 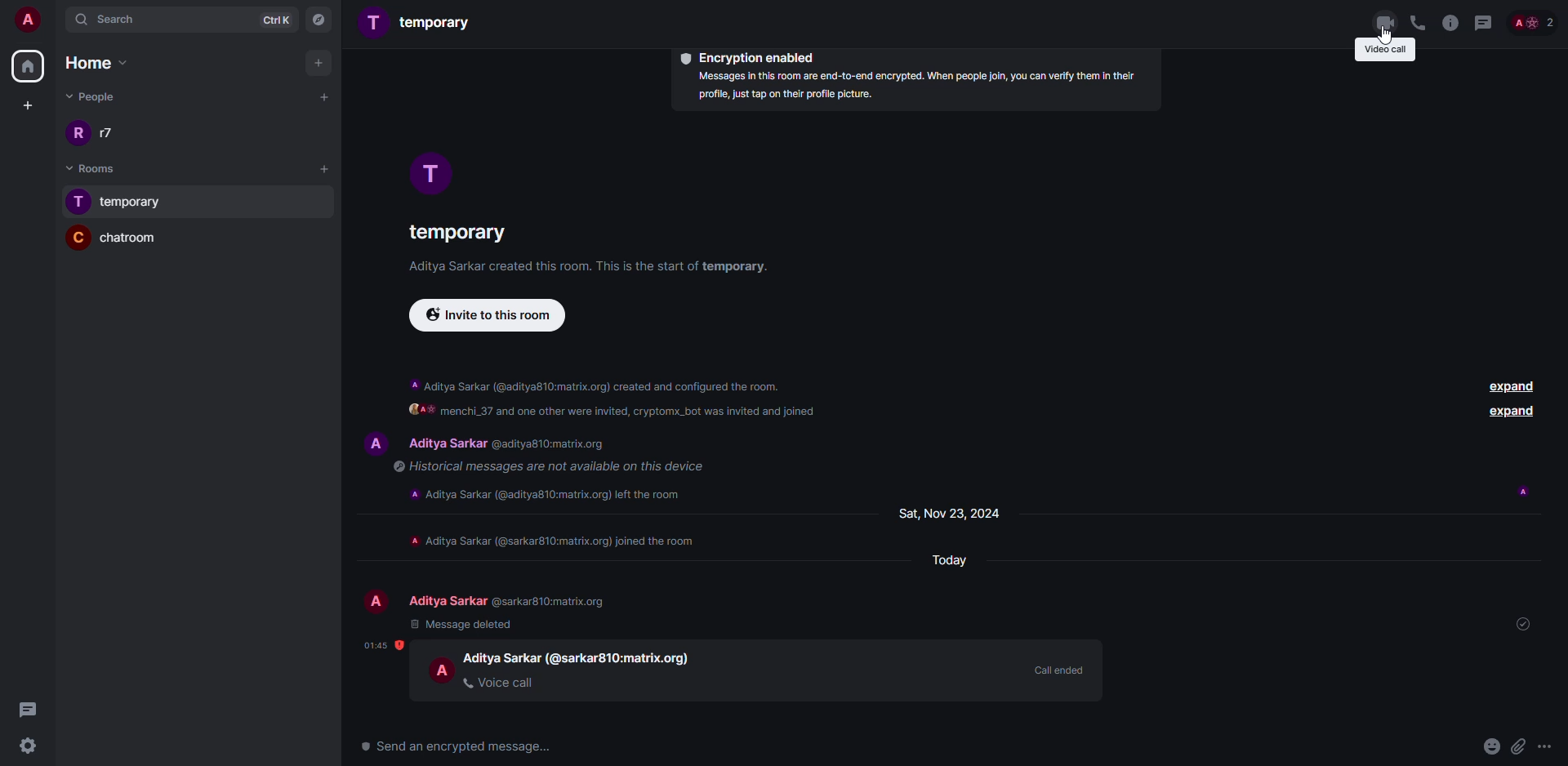 What do you see at coordinates (318, 20) in the screenshot?
I see `navigator` at bounding box center [318, 20].